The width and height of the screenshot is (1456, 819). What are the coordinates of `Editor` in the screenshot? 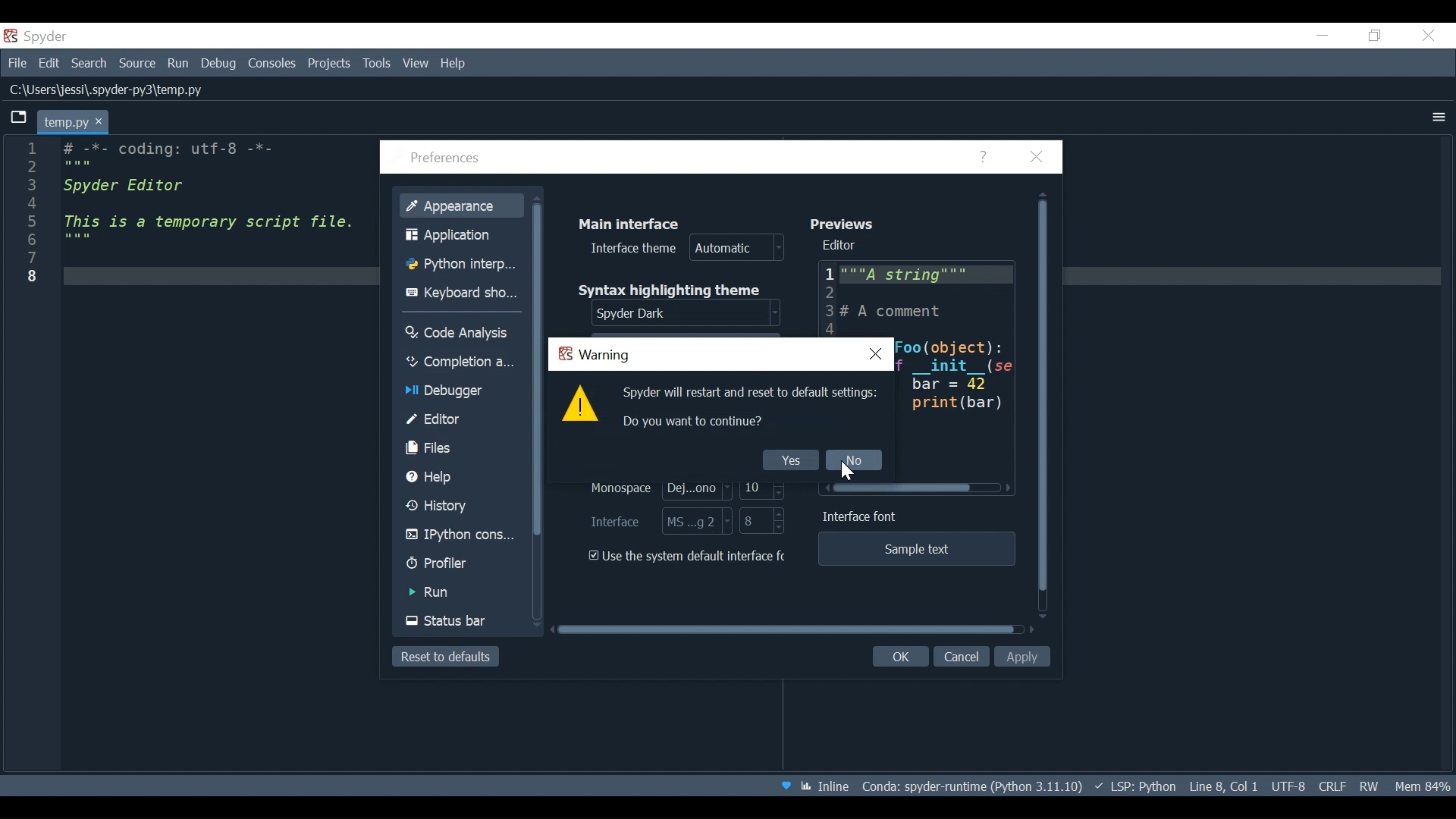 It's located at (461, 419).